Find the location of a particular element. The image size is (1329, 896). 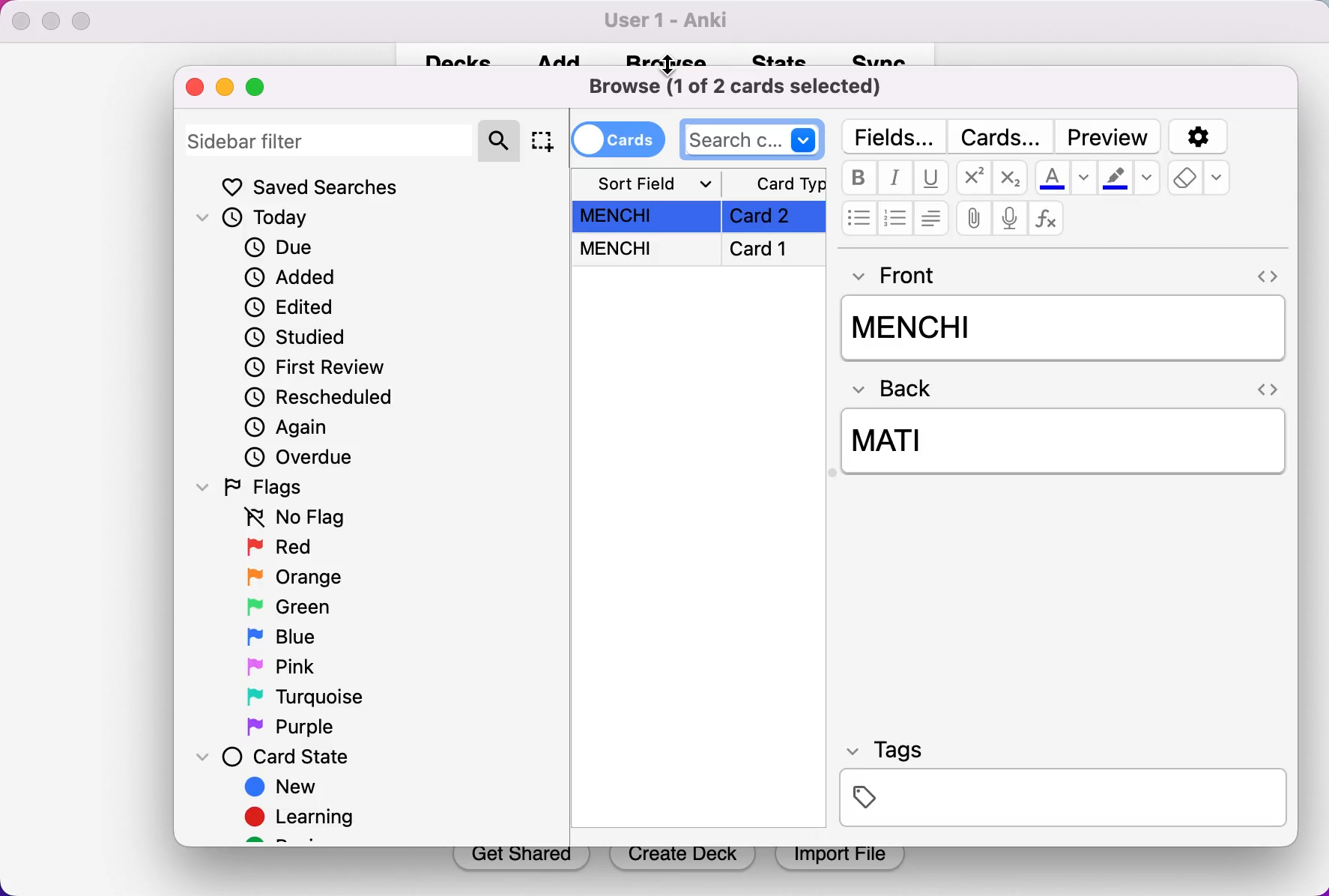

again is located at coordinates (293, 429).